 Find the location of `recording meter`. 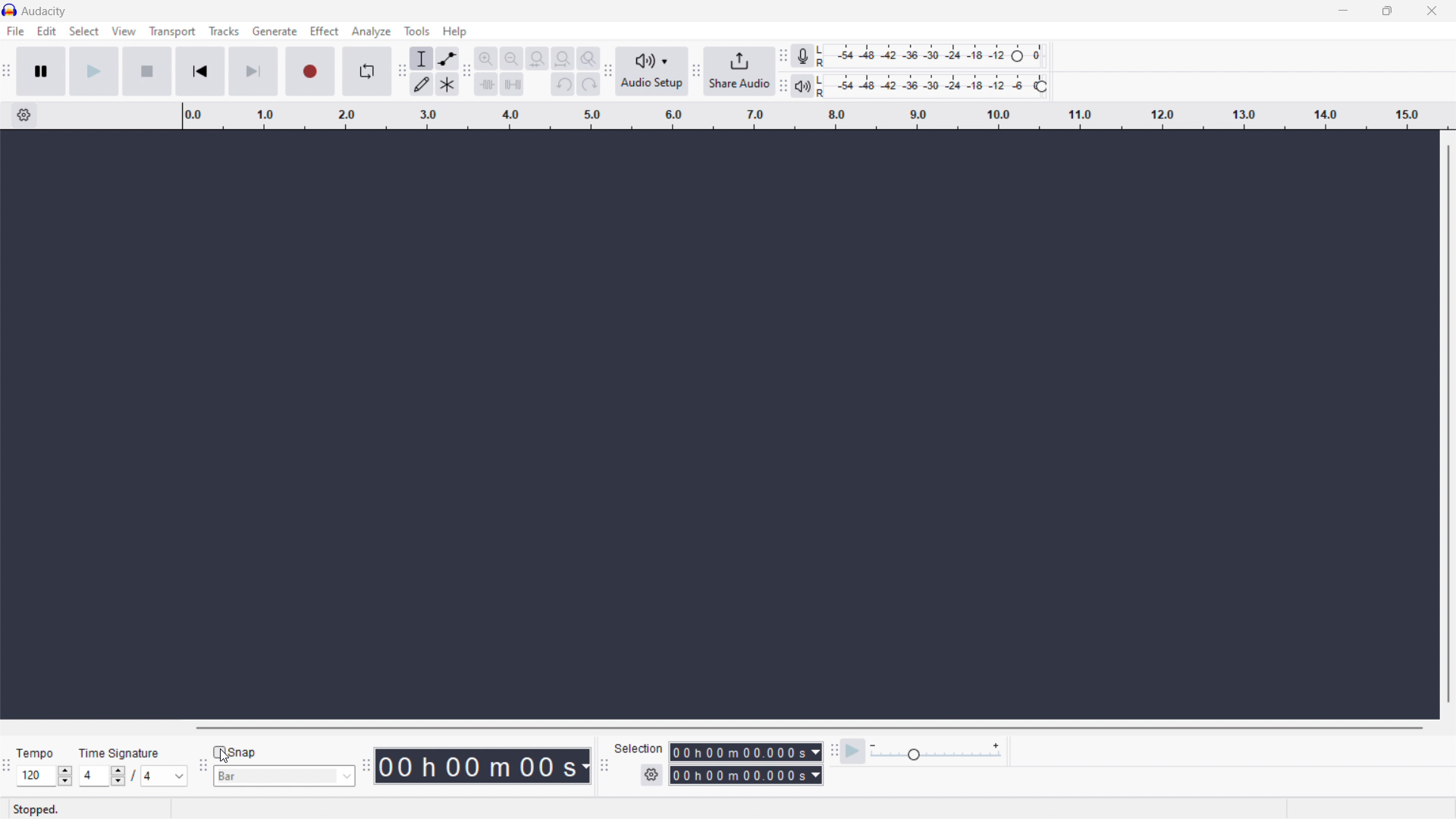

recording meter is located at coordinates (802, 55).